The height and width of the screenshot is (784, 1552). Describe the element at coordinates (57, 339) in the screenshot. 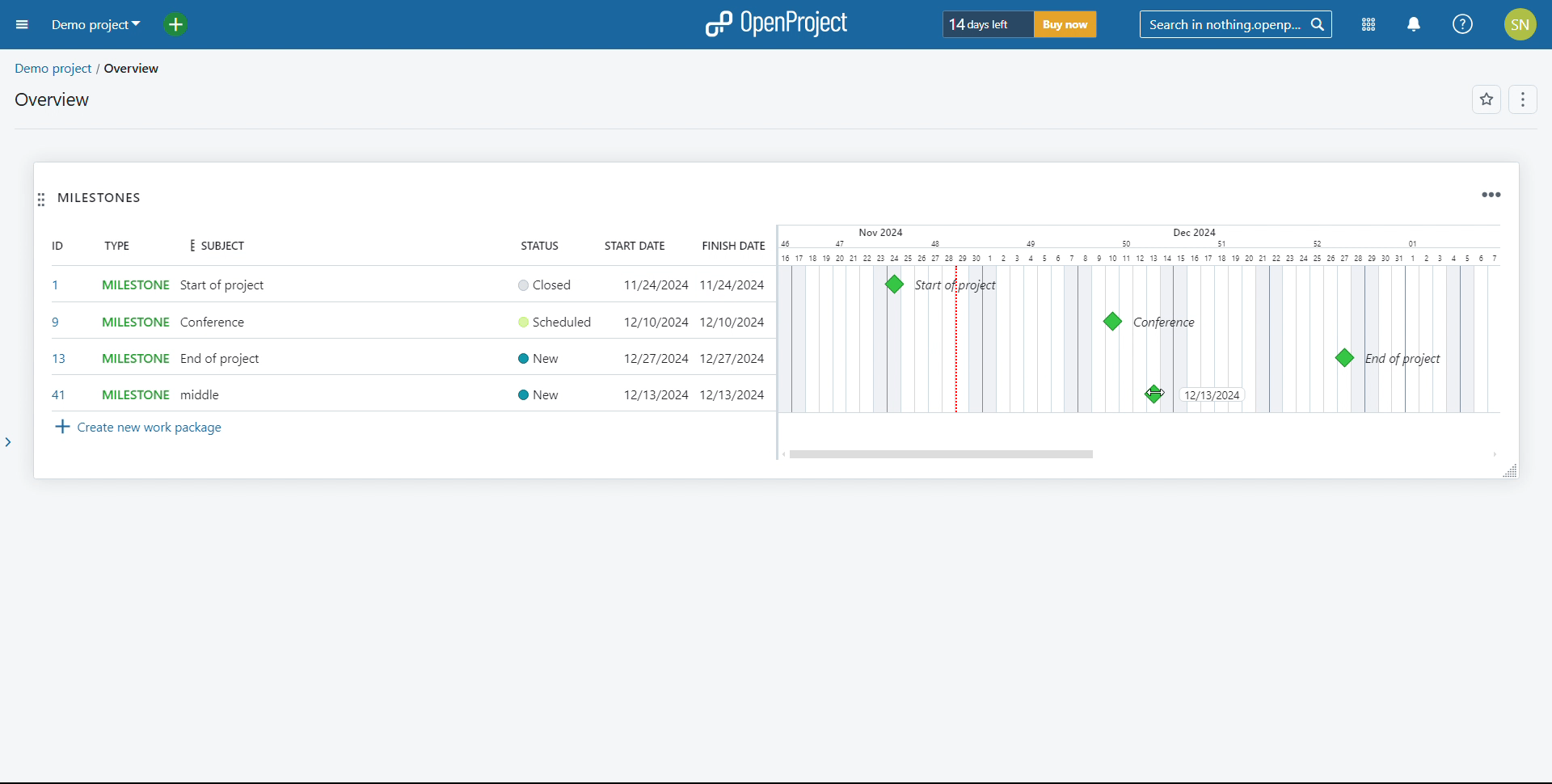

I see `set id` at that location.